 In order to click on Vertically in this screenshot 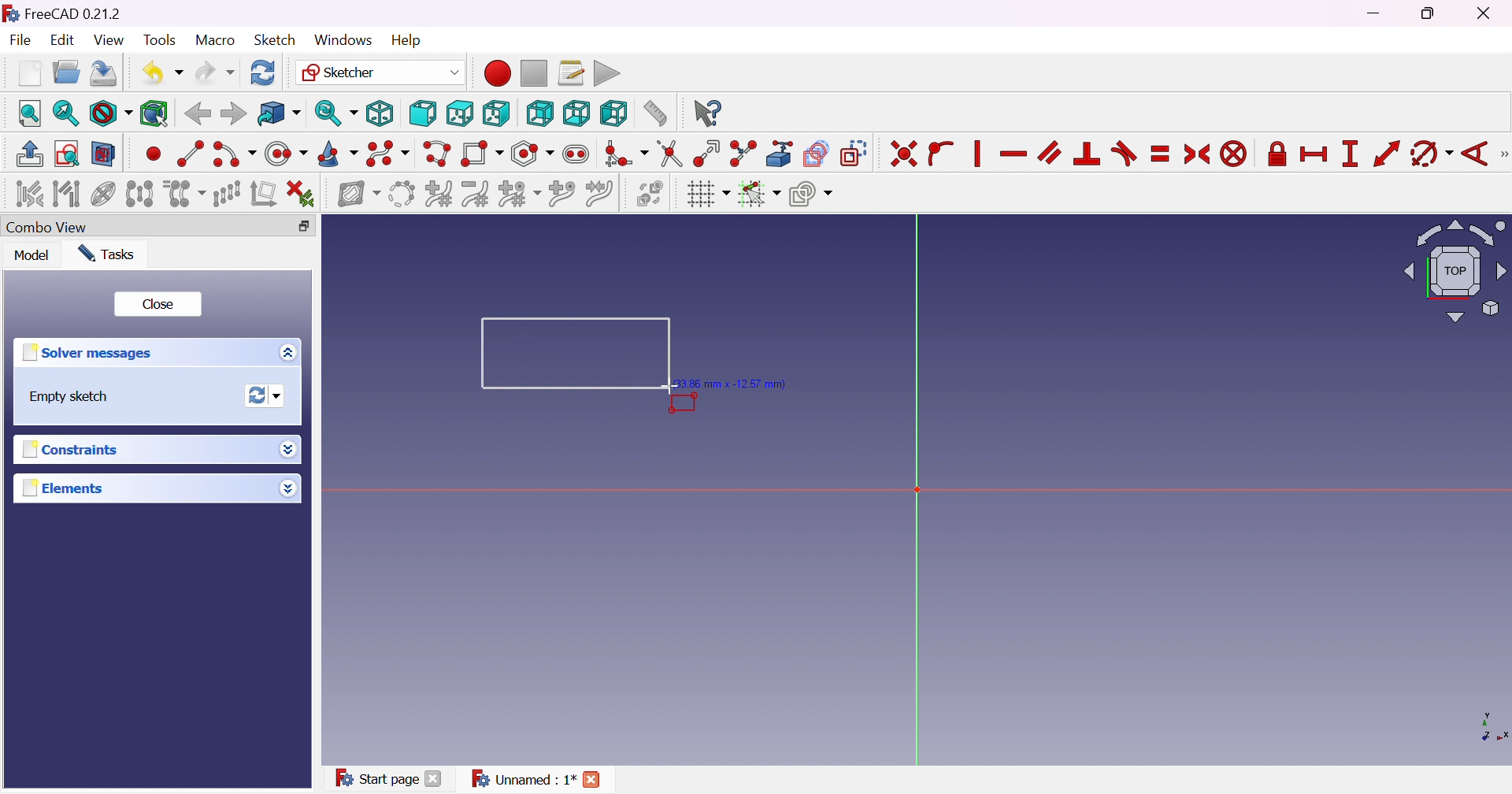, I will do `click(976, 154)`.